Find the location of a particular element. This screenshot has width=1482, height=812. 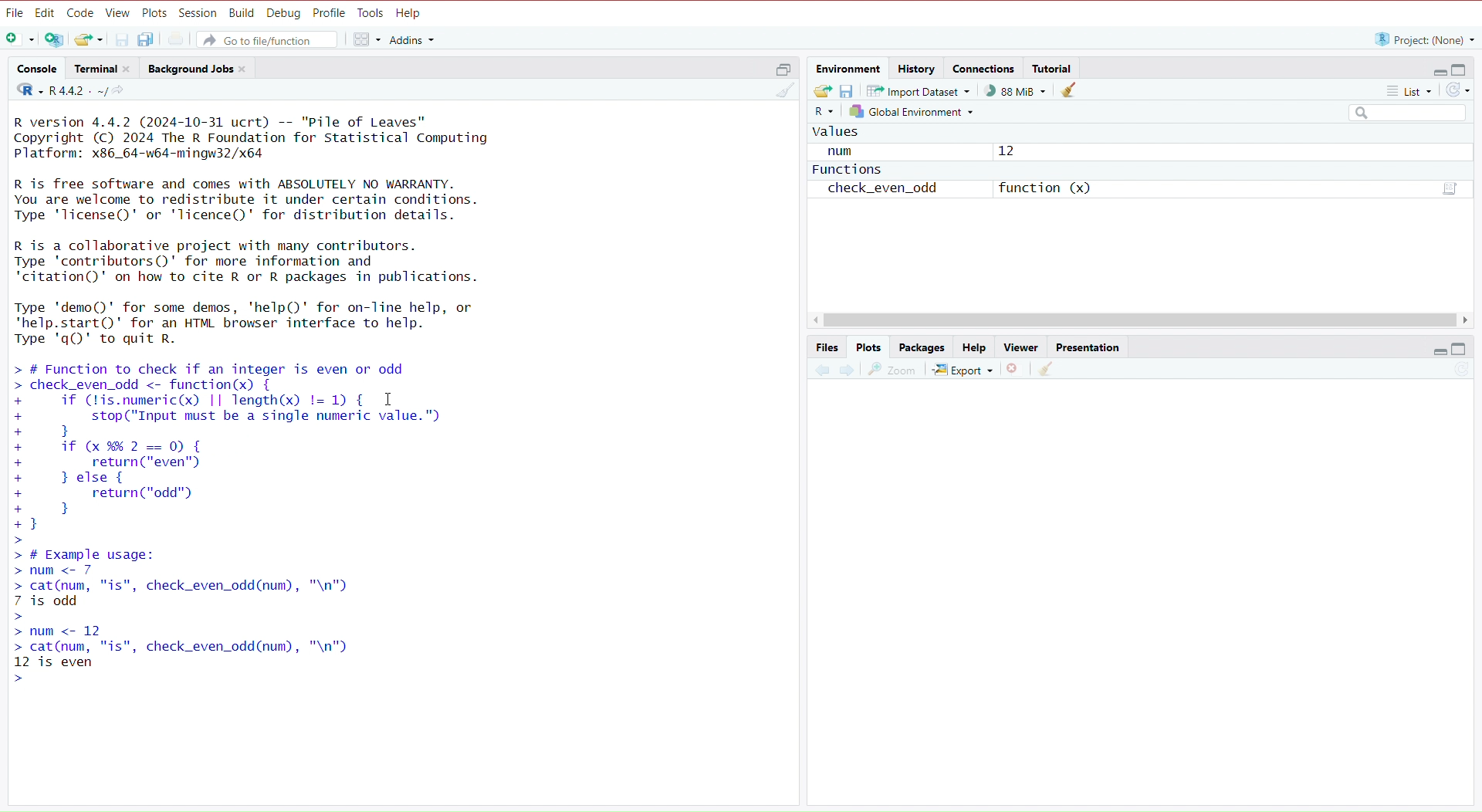

tools is located at coordinates (371, 13).